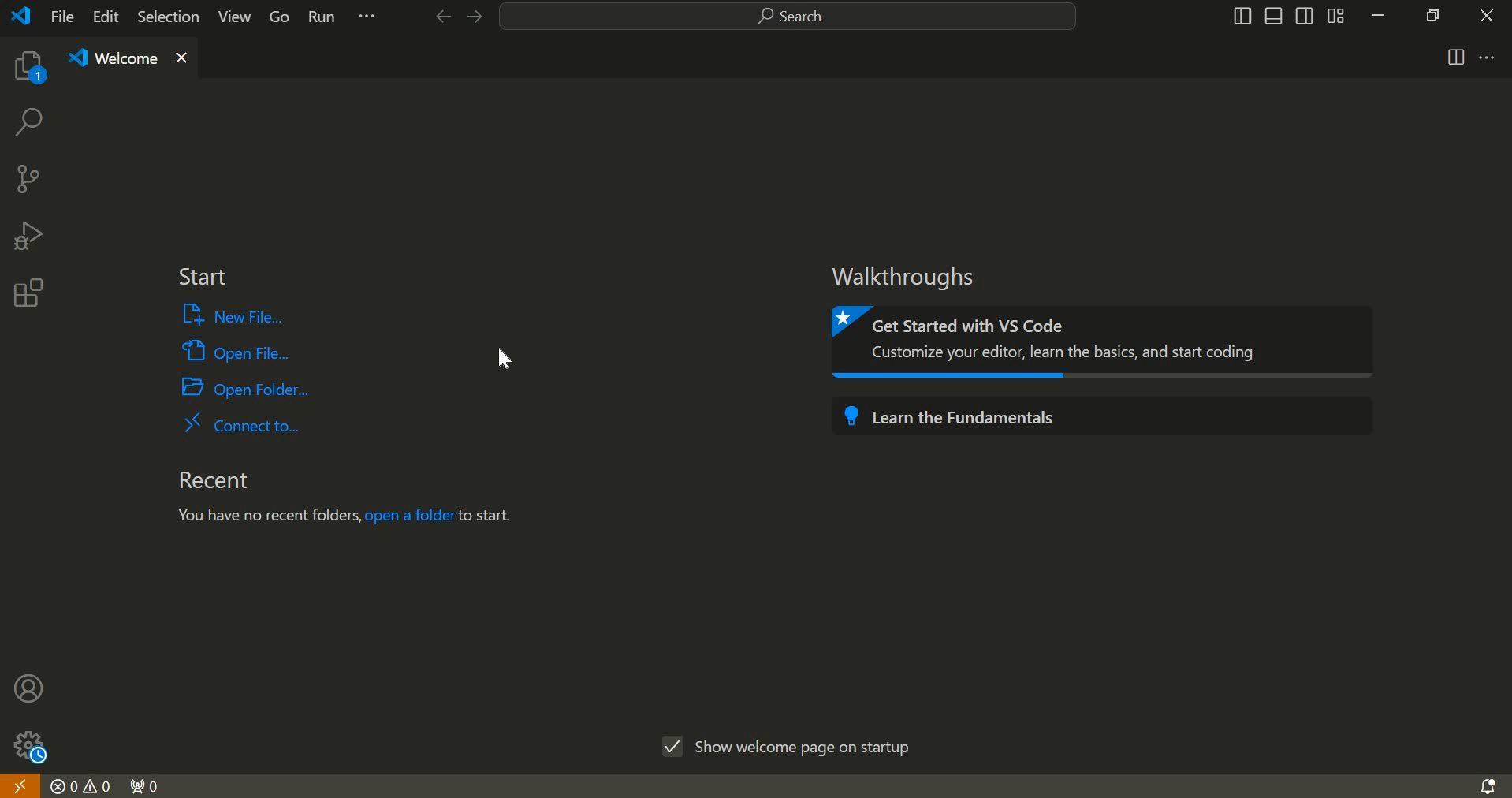 This screenshot has height=798, width=1512. I want to click on expand, so click(367, 19).